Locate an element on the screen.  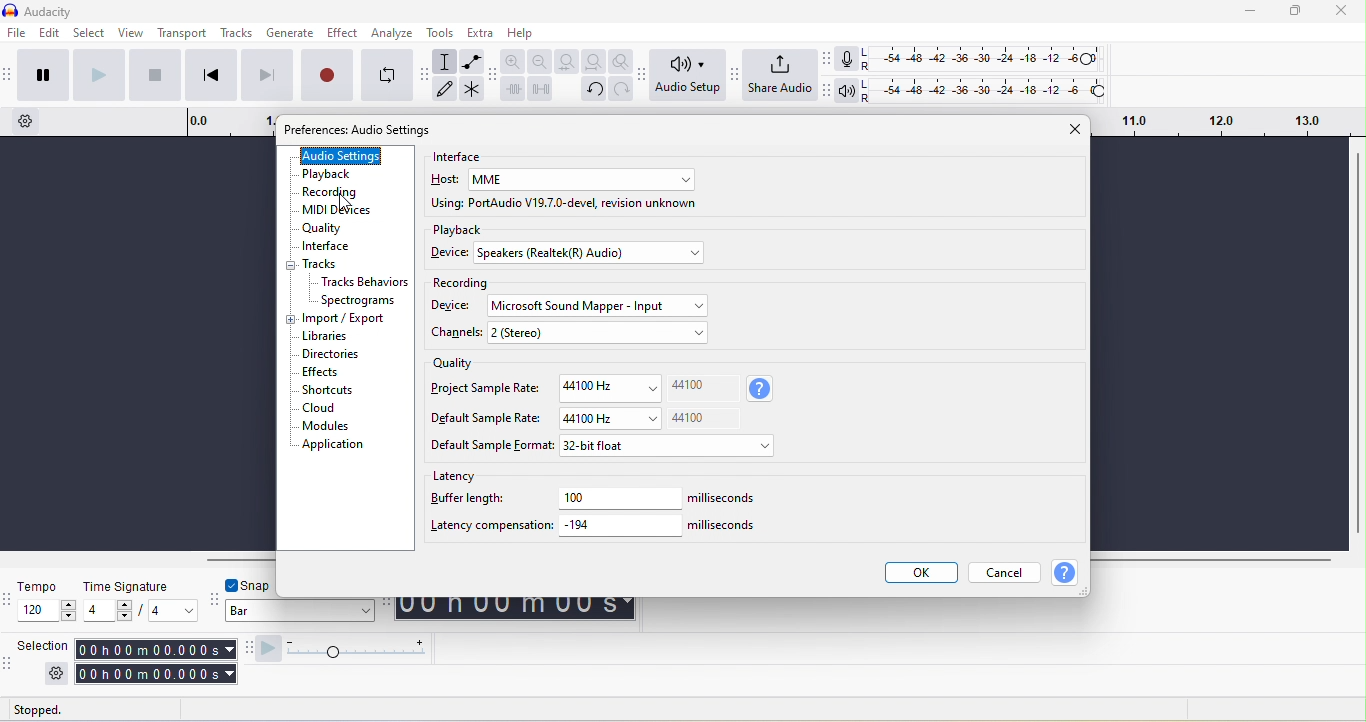
device is located at coordinates (453, 305).